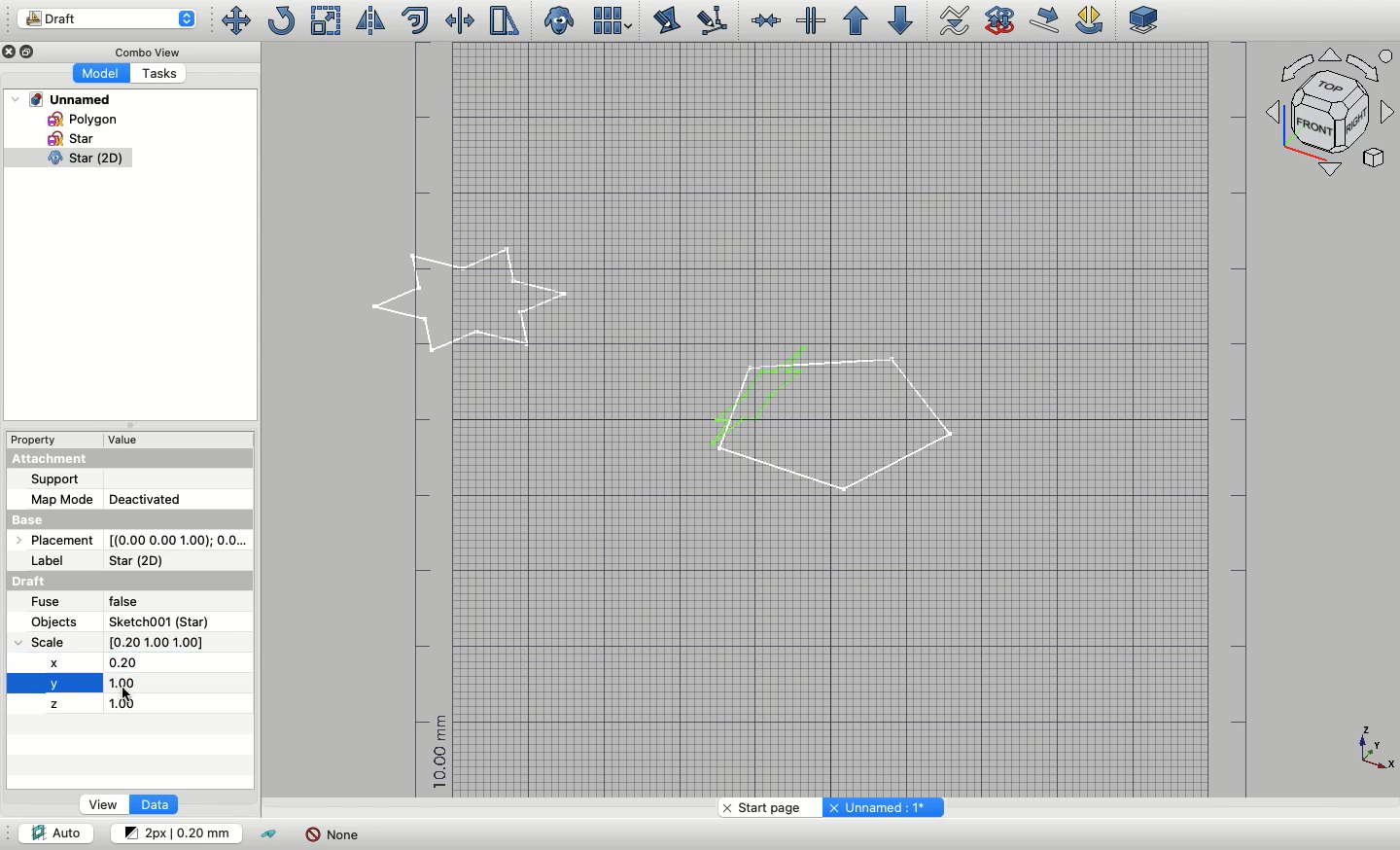 Image resolution: width=1400 pixels, height=850 pixels. I want to click on Scale, so click(327, 20).